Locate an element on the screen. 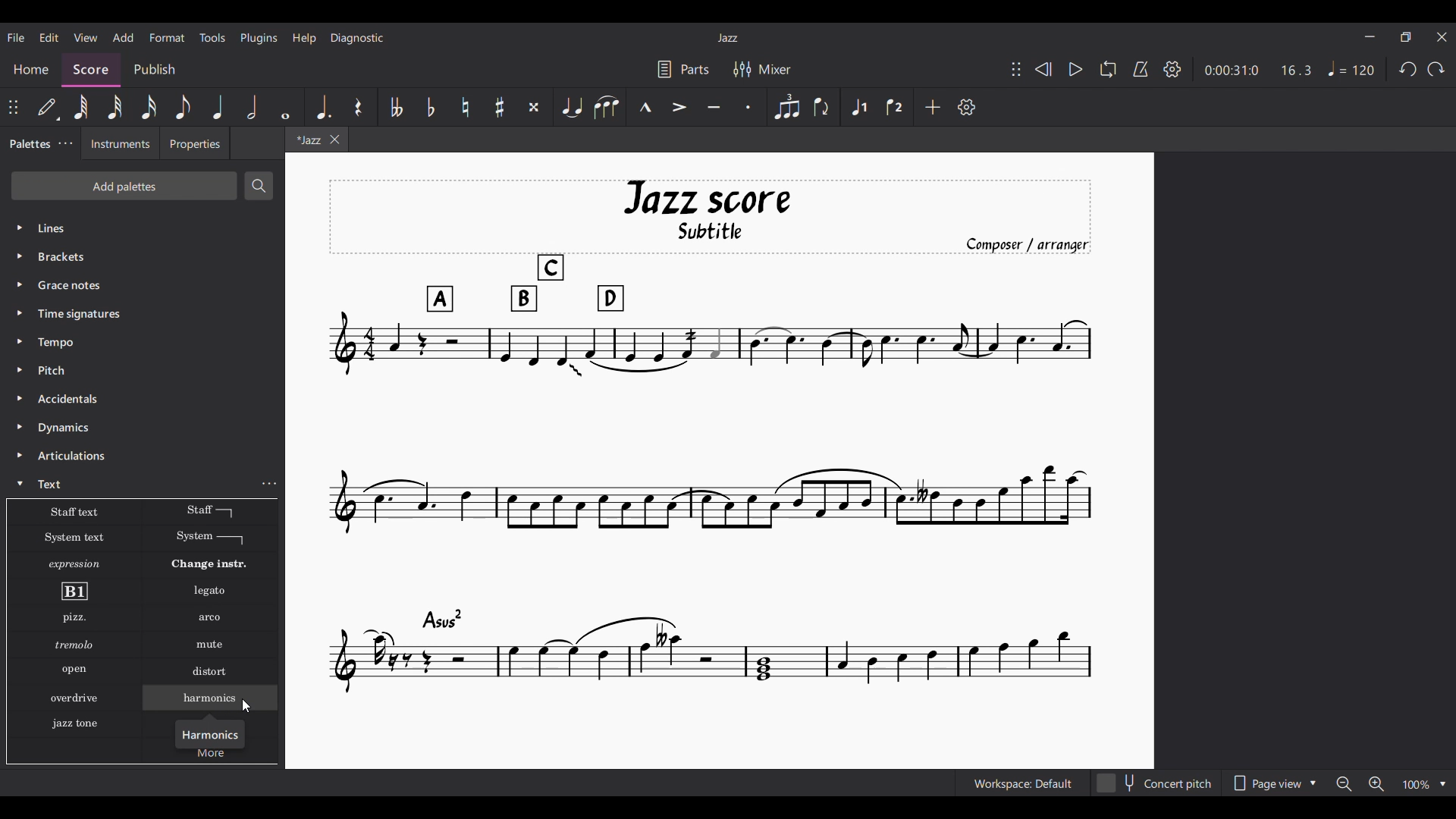 This screenshot has width=1456, height=819. Articulation is located at coordinates (74, 457).